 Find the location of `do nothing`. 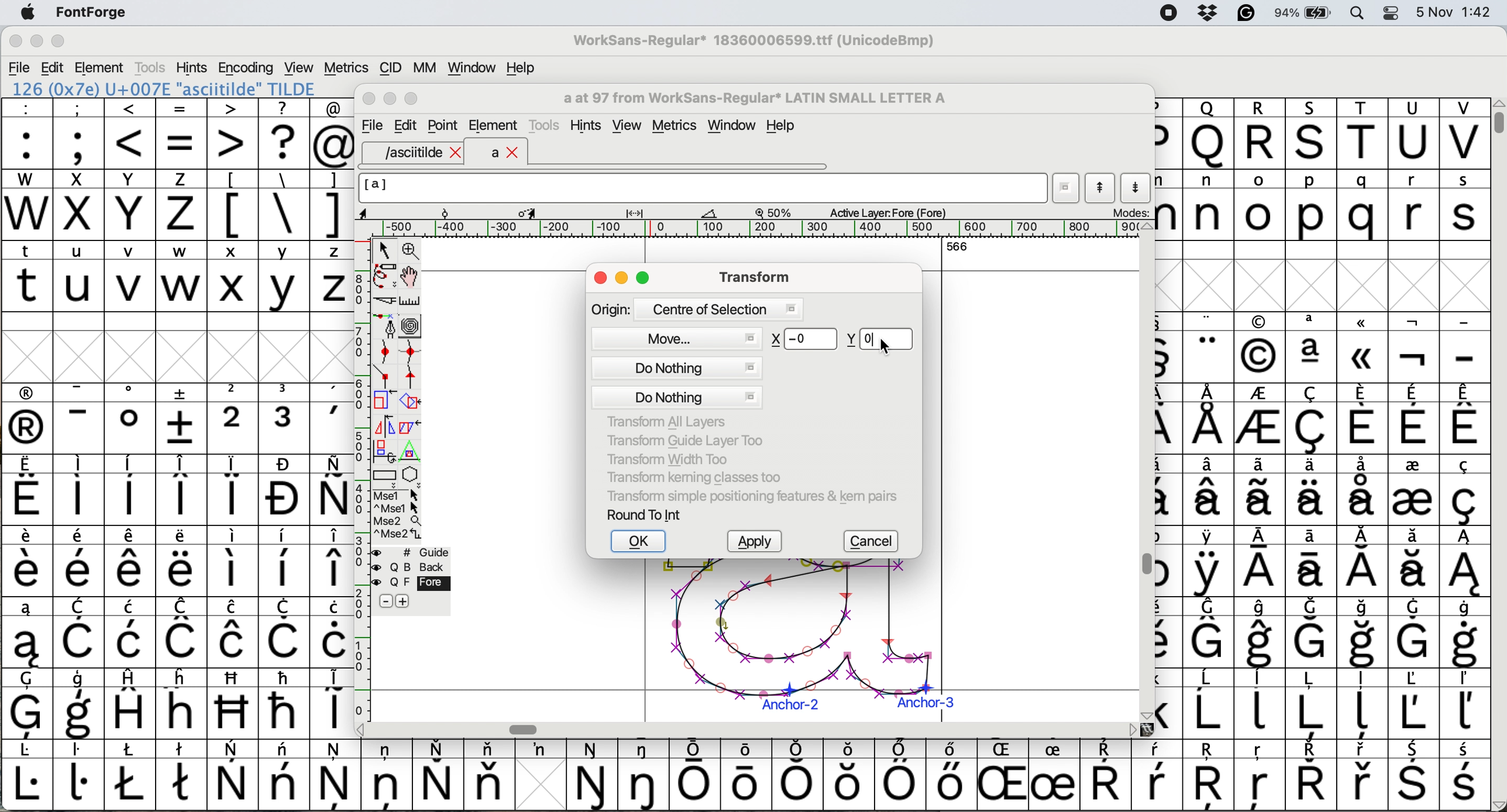

do nothing is located at coordinates (677, 383).